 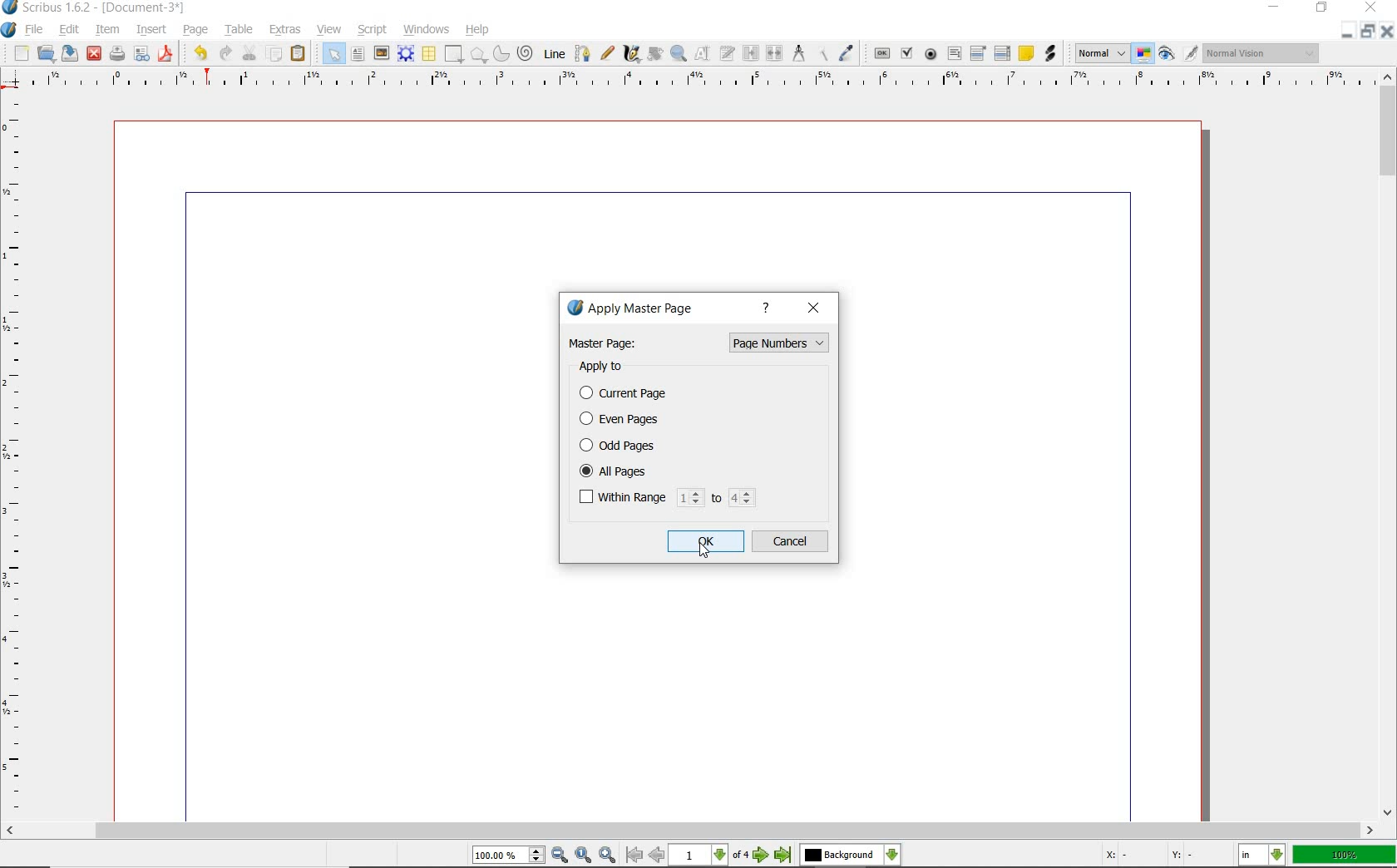 I want to click on help, so click(x=769, y=309).